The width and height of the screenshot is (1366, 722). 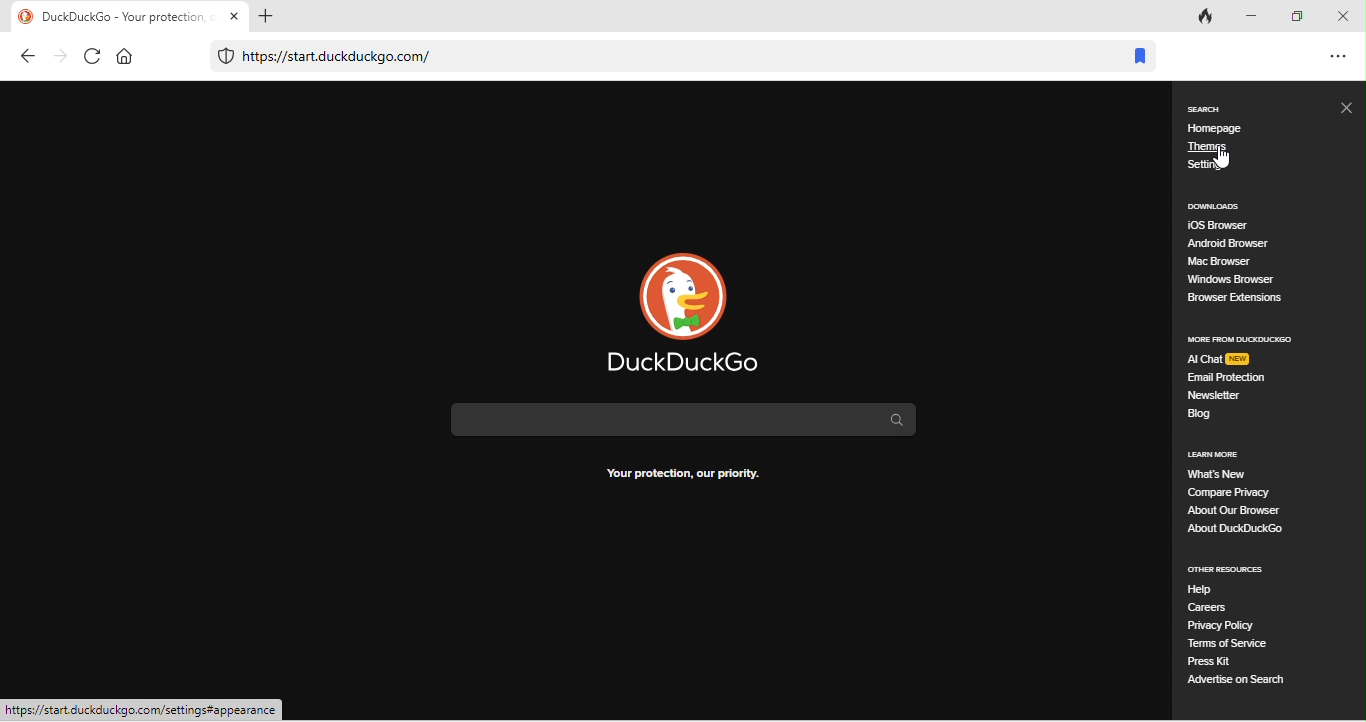 I want to click on press kit, so click(x=1218, y=662).